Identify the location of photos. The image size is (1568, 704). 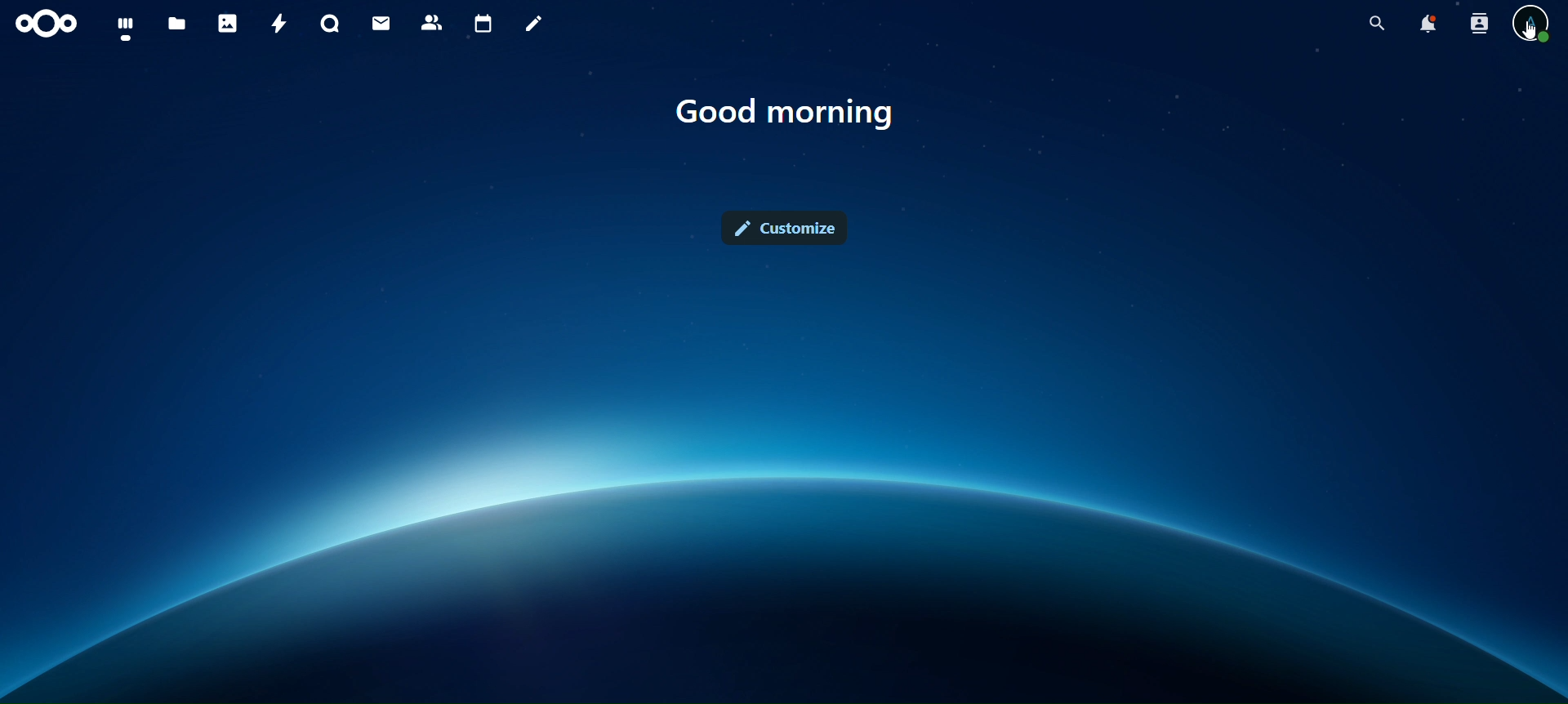
(229, 25).